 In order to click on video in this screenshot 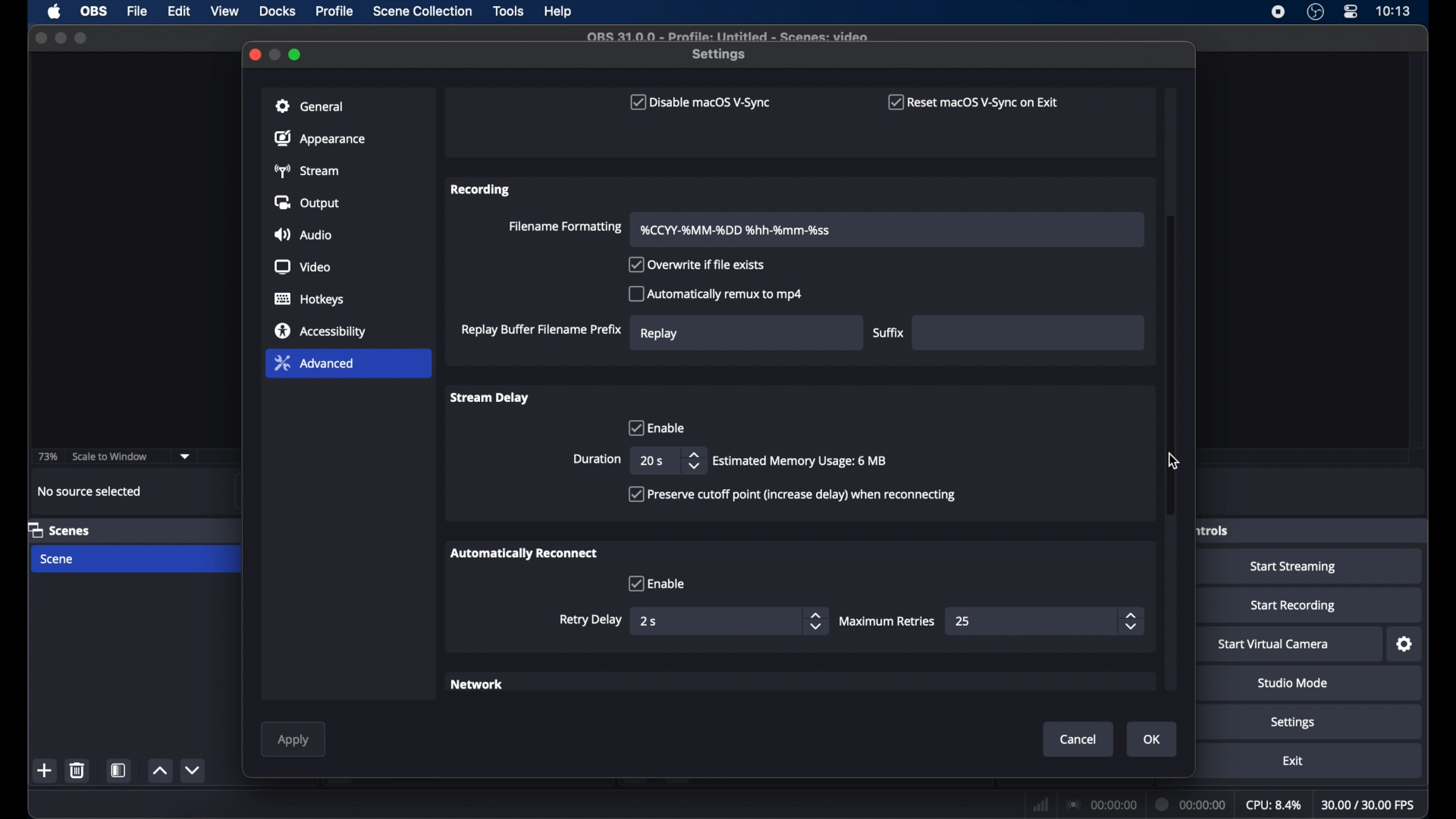, I will do `click(303, 268)`.